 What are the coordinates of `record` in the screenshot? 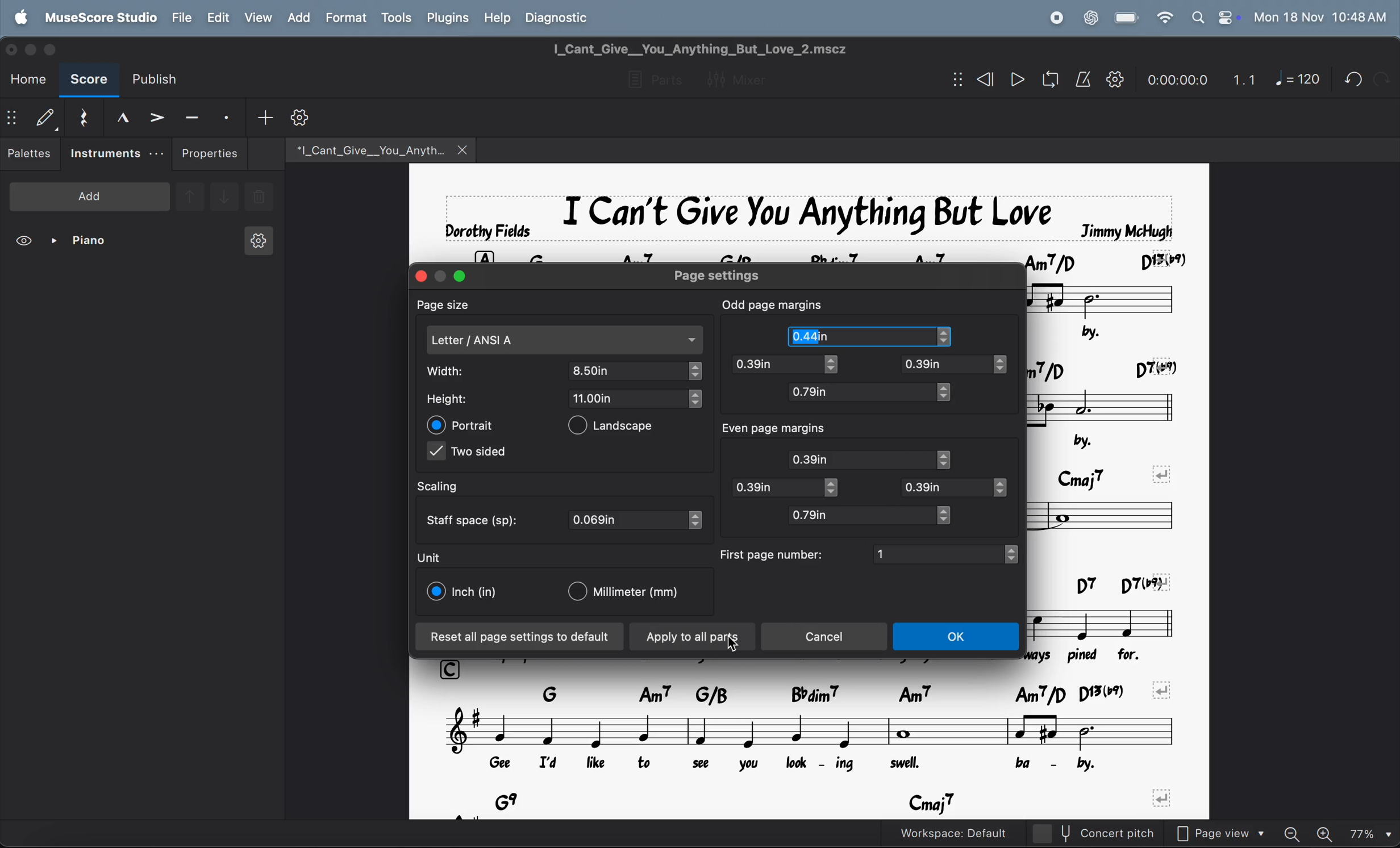 It's located at (1056, 18).